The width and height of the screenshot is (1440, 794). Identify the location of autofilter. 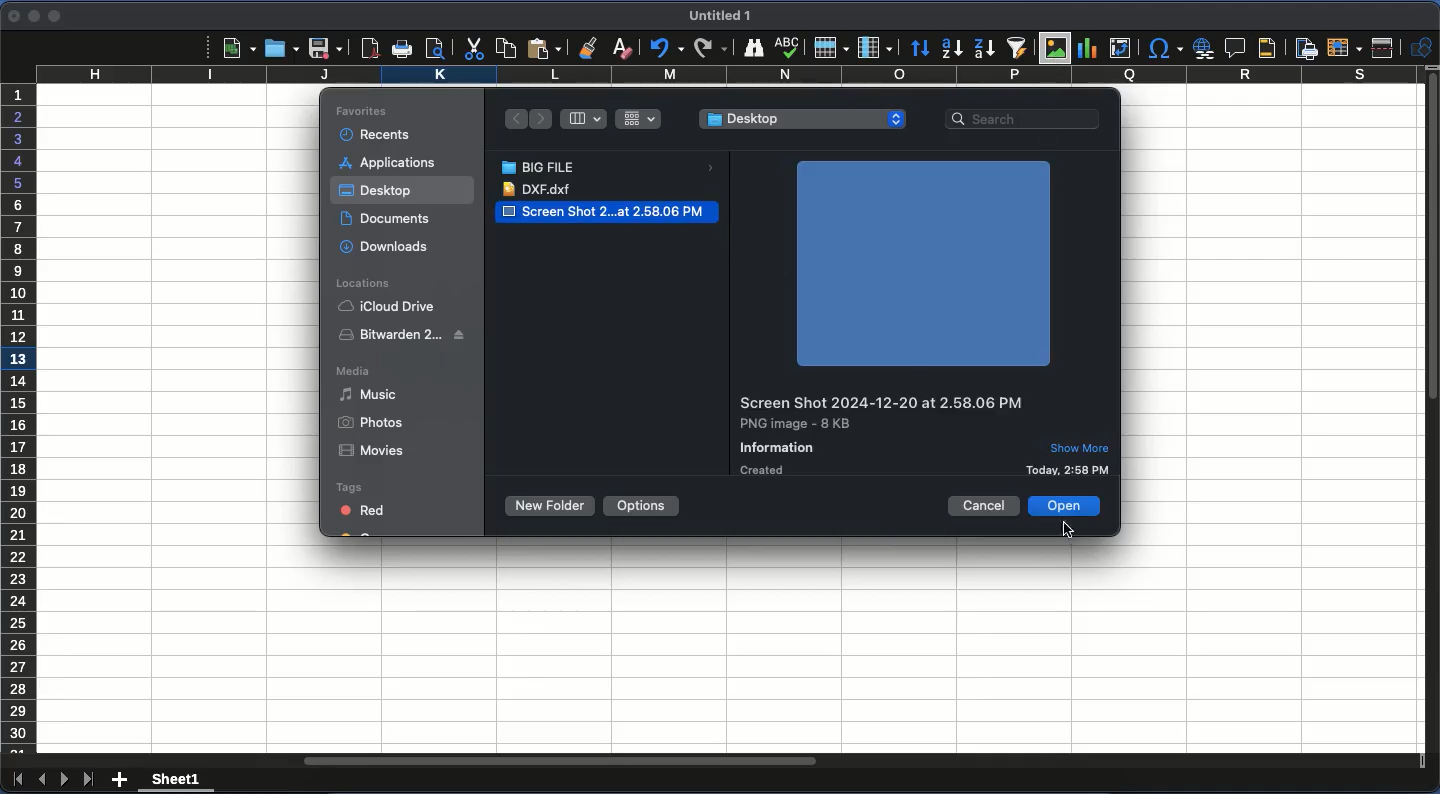
(1016, 49).